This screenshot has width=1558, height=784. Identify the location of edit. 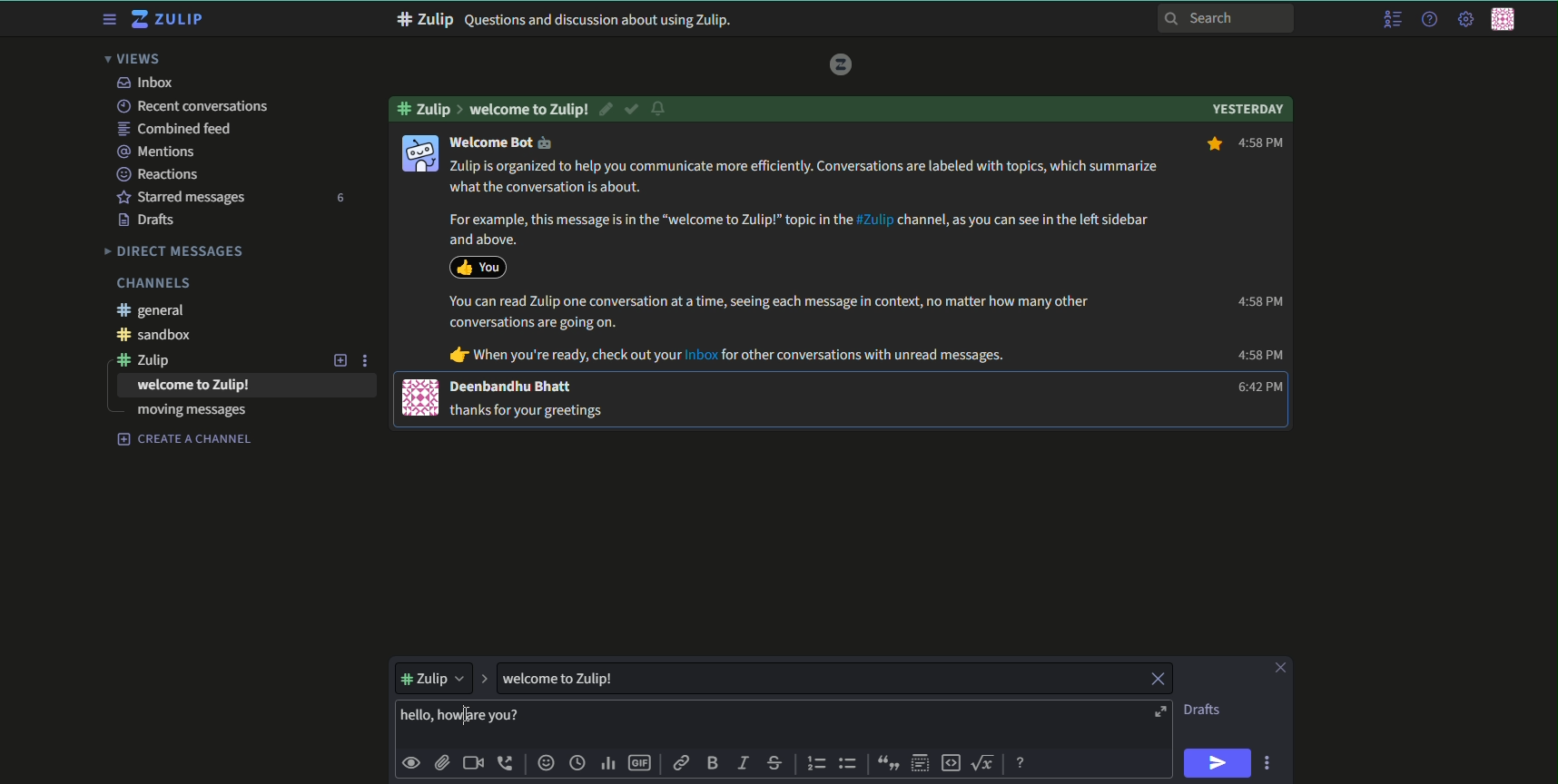
(607, 109).